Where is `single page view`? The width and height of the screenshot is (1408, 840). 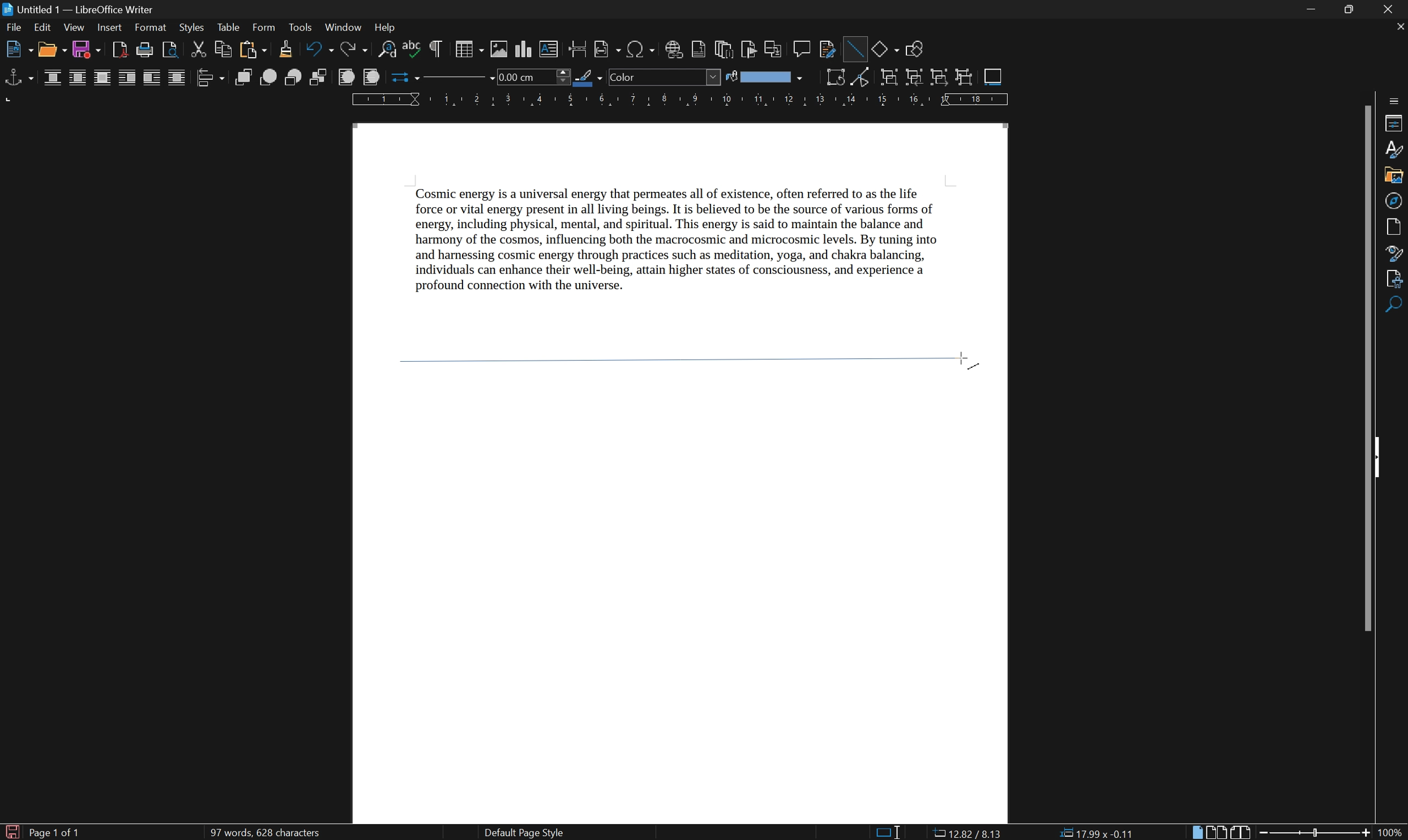
single page view is located at coordinates (1197, 833).